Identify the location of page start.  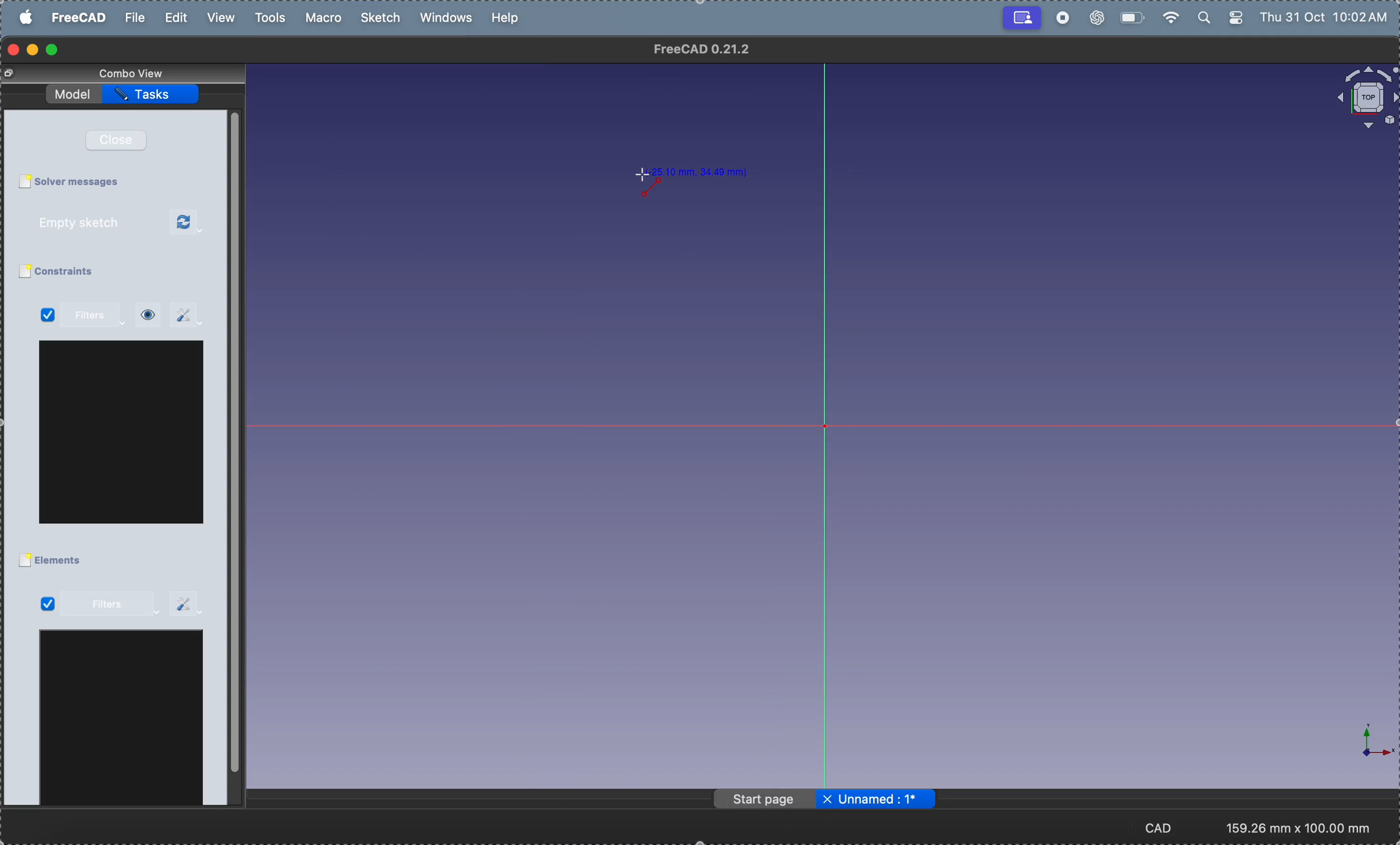
(766, 800).